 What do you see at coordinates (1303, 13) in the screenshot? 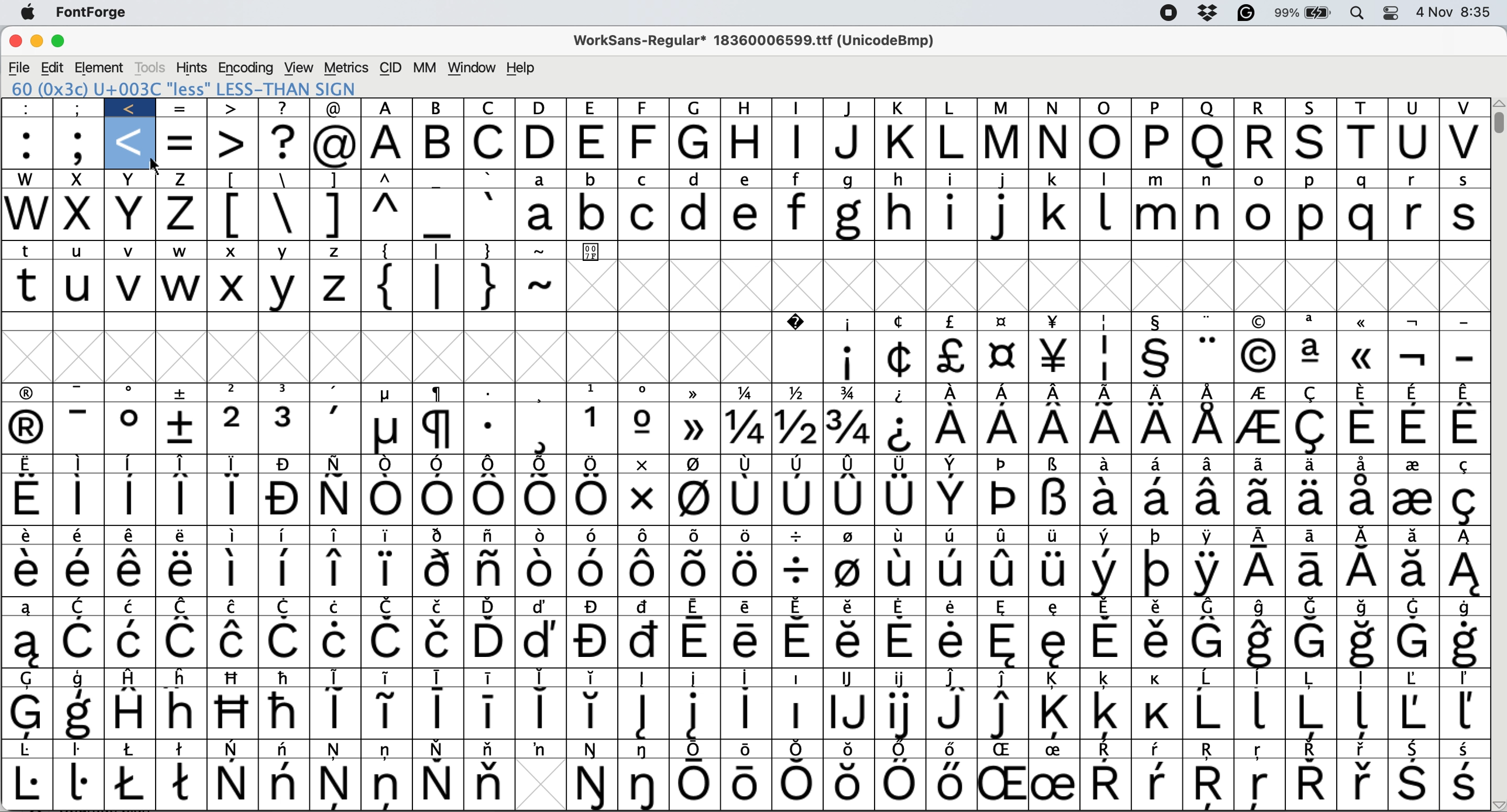
I see `battery` at bounding box center [1303, 13].